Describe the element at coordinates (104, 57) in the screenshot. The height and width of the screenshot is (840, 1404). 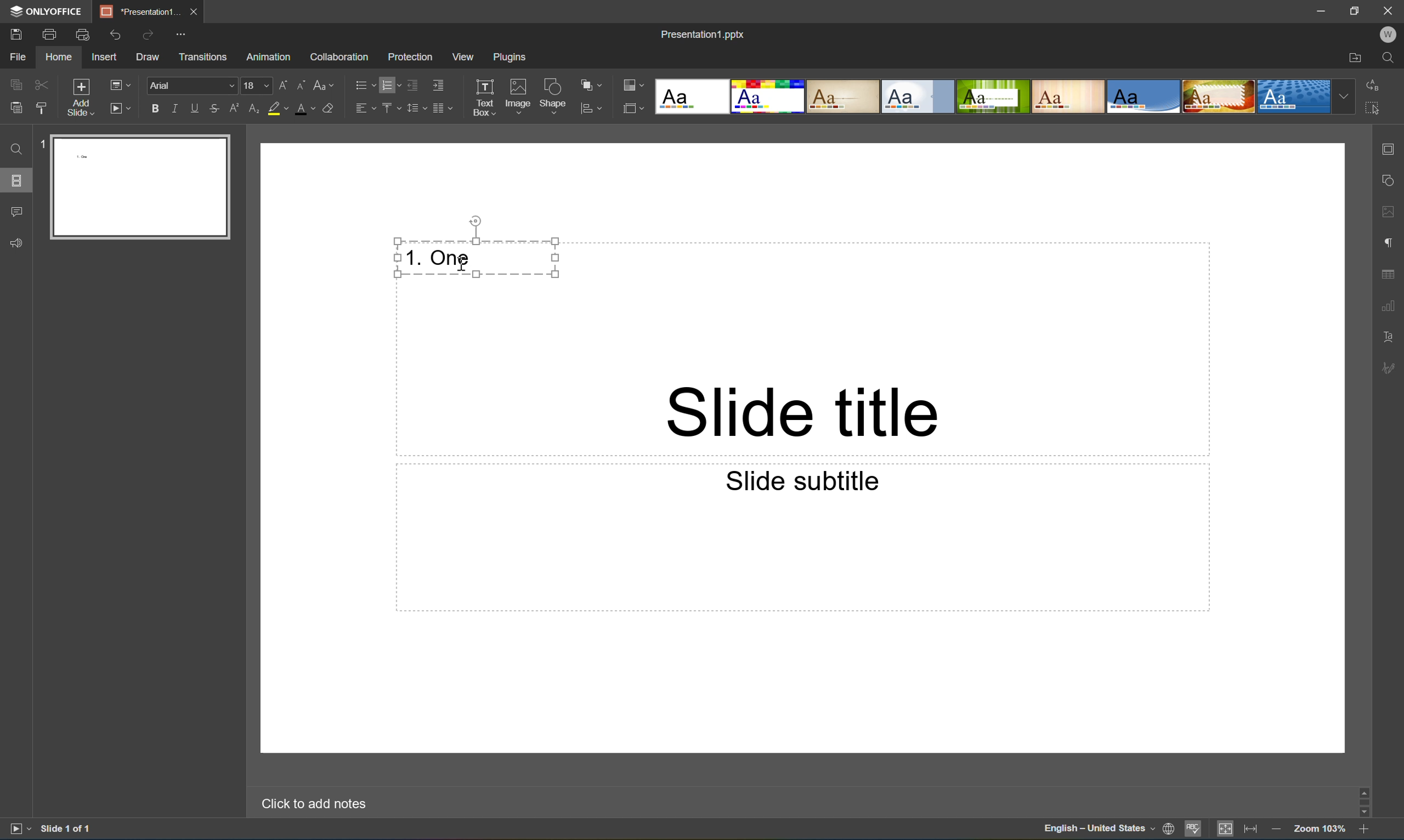
I see `Insert` at that location.